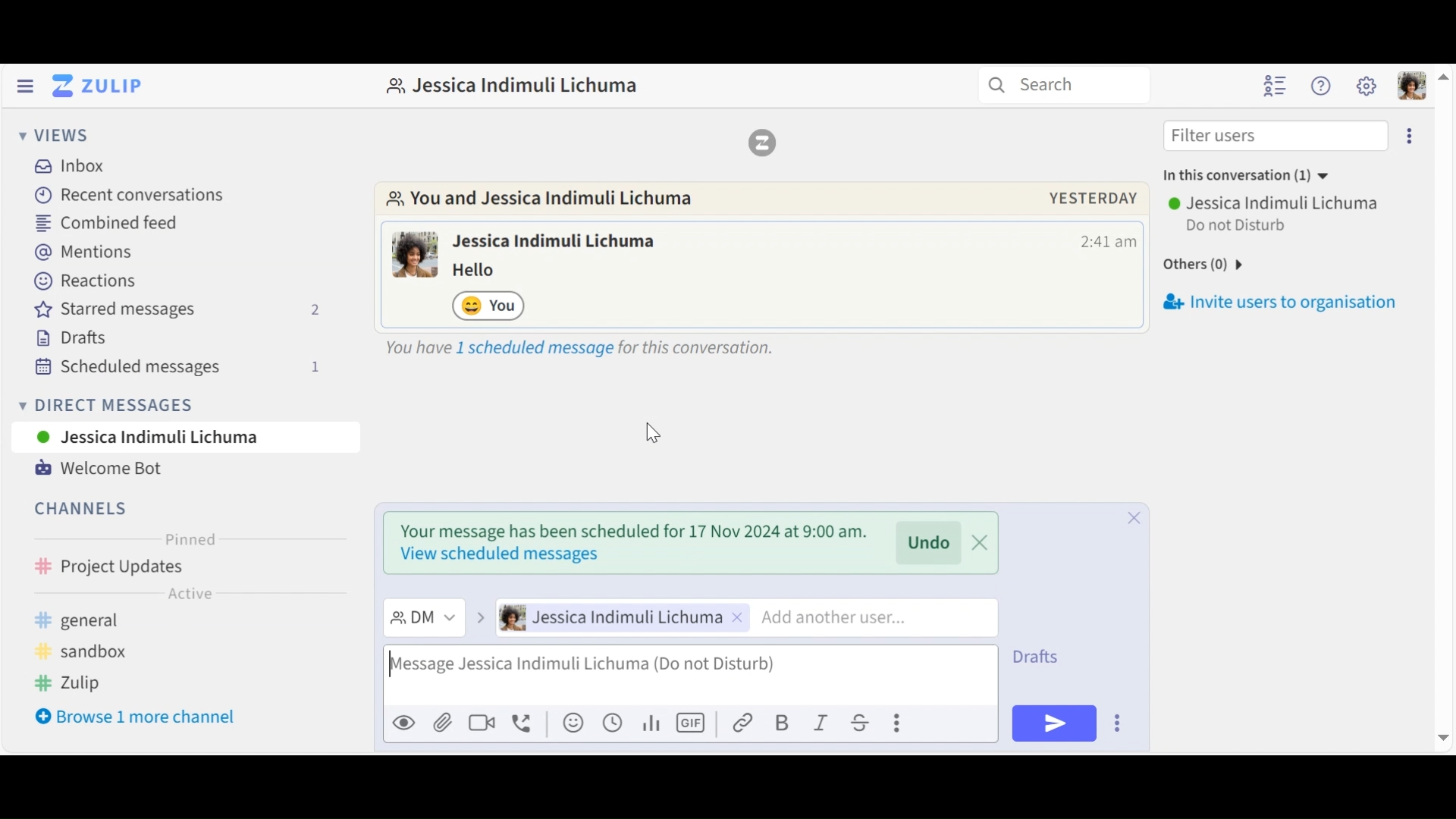 This screenshot has width=1456, height=819. I want to click on Username, so click(1276, 202).